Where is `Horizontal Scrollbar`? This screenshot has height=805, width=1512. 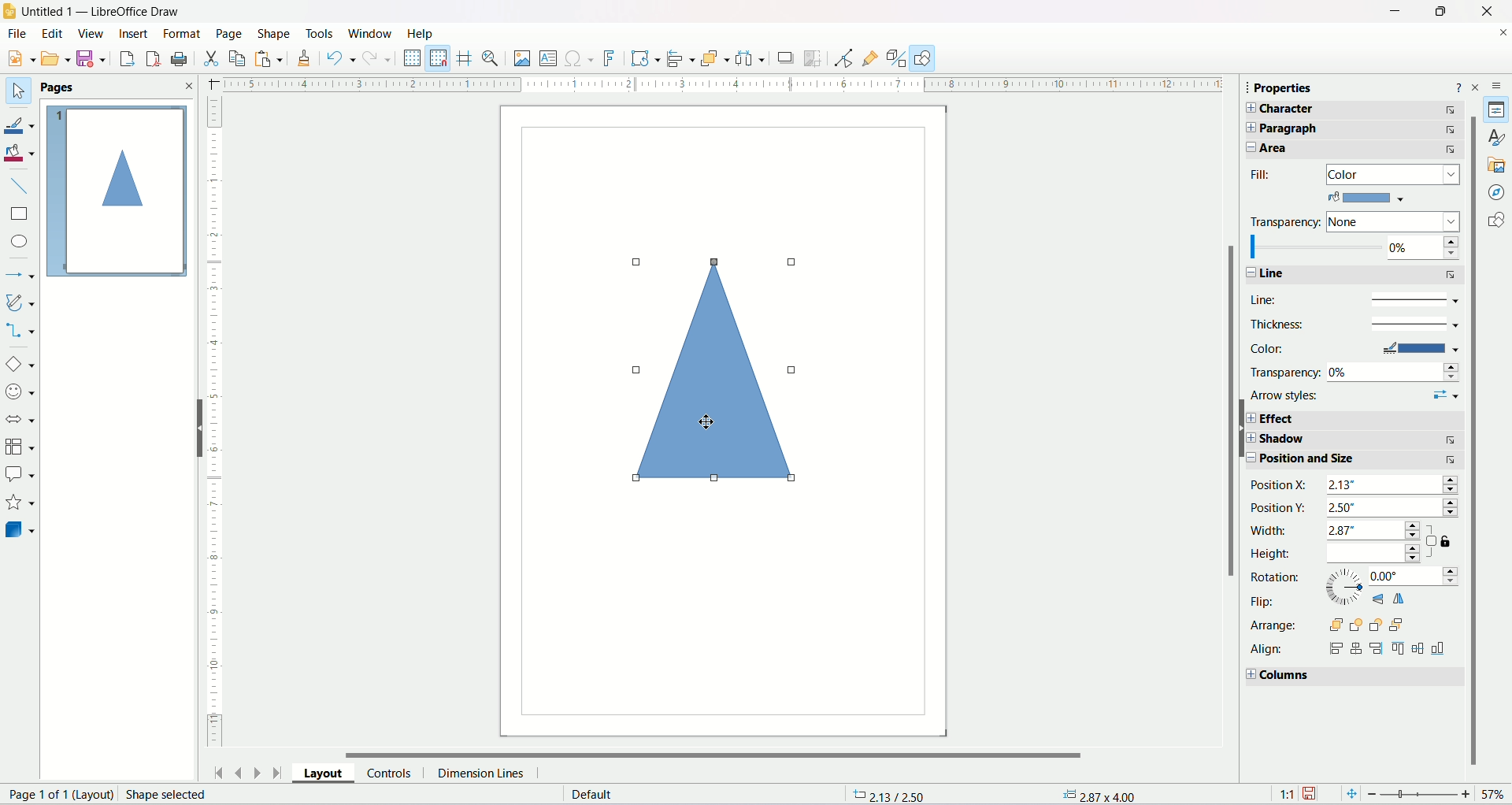
Horizontal Scrollbar is located at coordinates (702, 755).